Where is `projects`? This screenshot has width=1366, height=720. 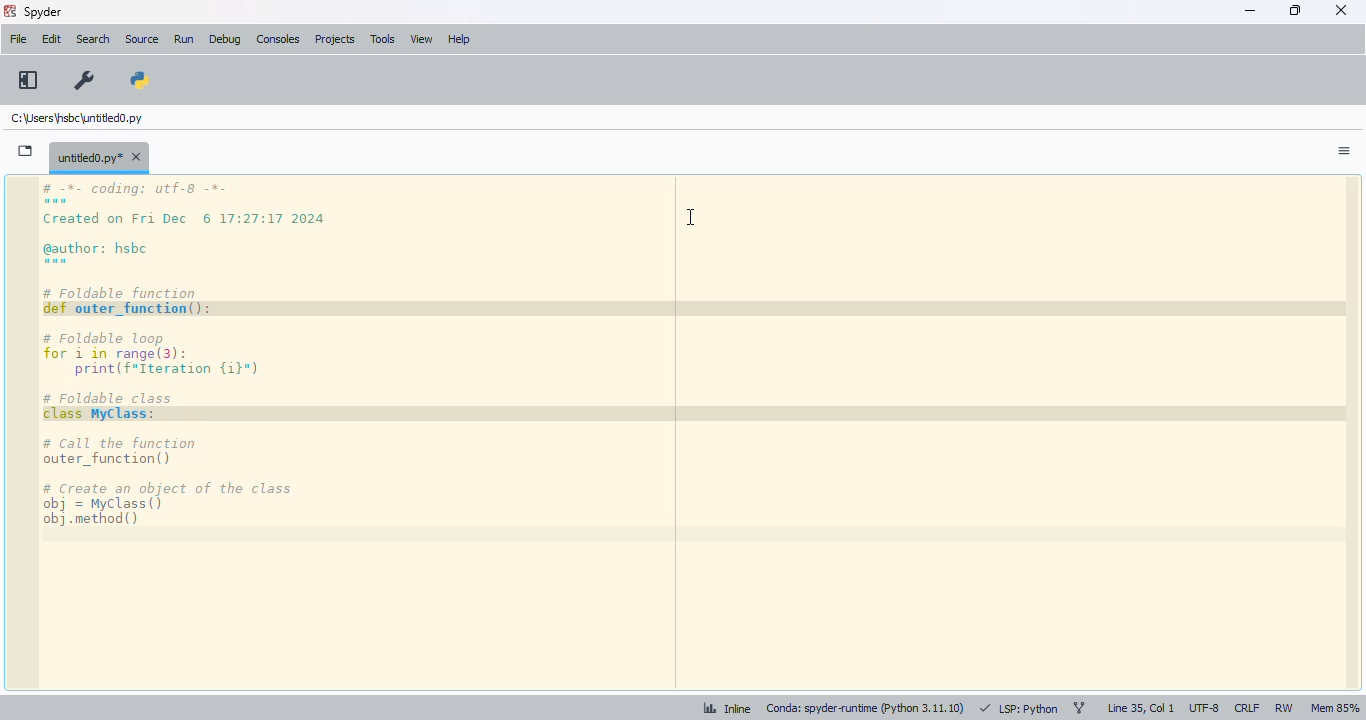 projects is located at coordinates (335, 39).